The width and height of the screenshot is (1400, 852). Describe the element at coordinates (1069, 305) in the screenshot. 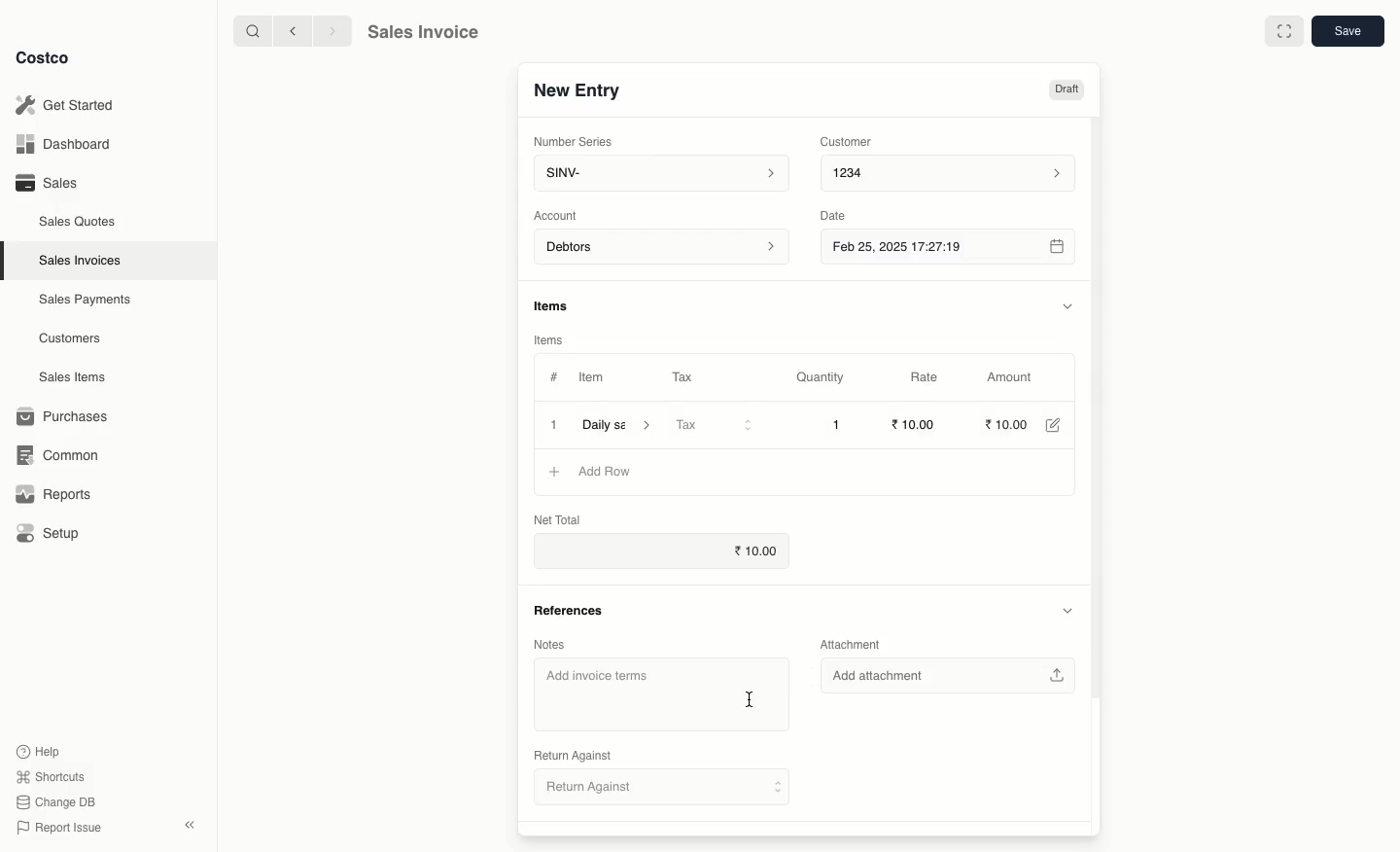

I see `Hide` at that location.